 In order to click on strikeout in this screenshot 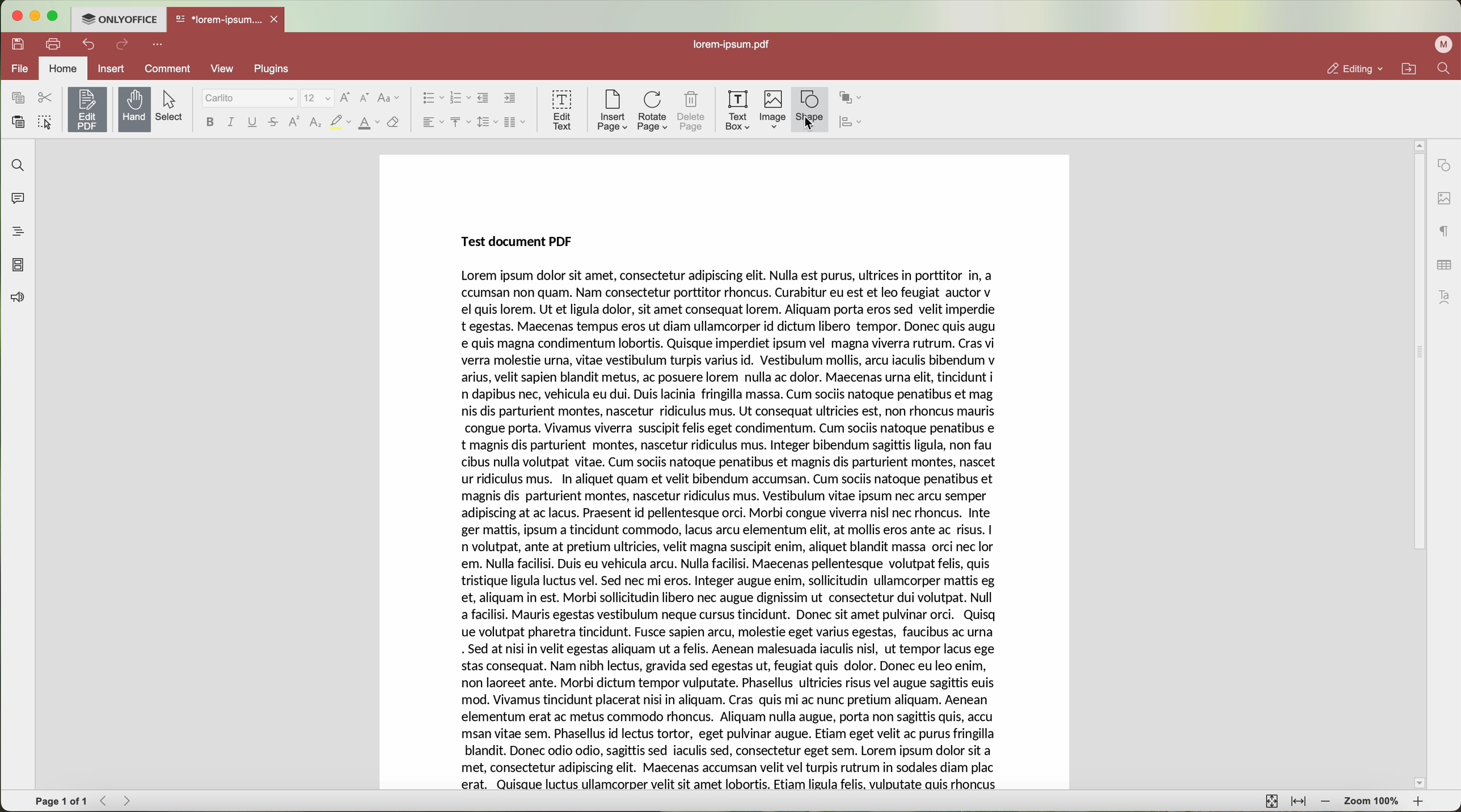, I will do `click(340, 122)`.